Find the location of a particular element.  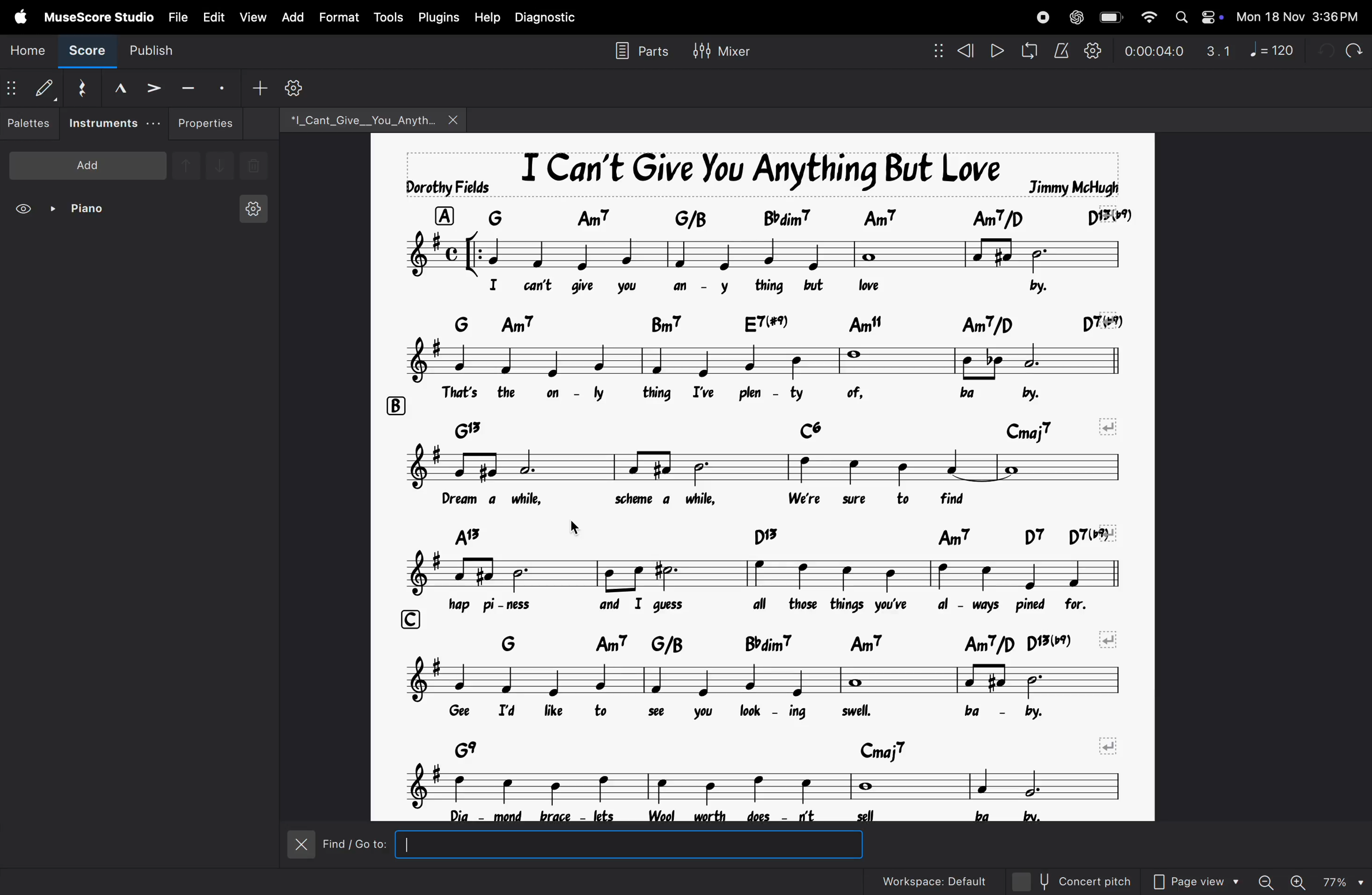

song title is located at coordinates (753, 174).